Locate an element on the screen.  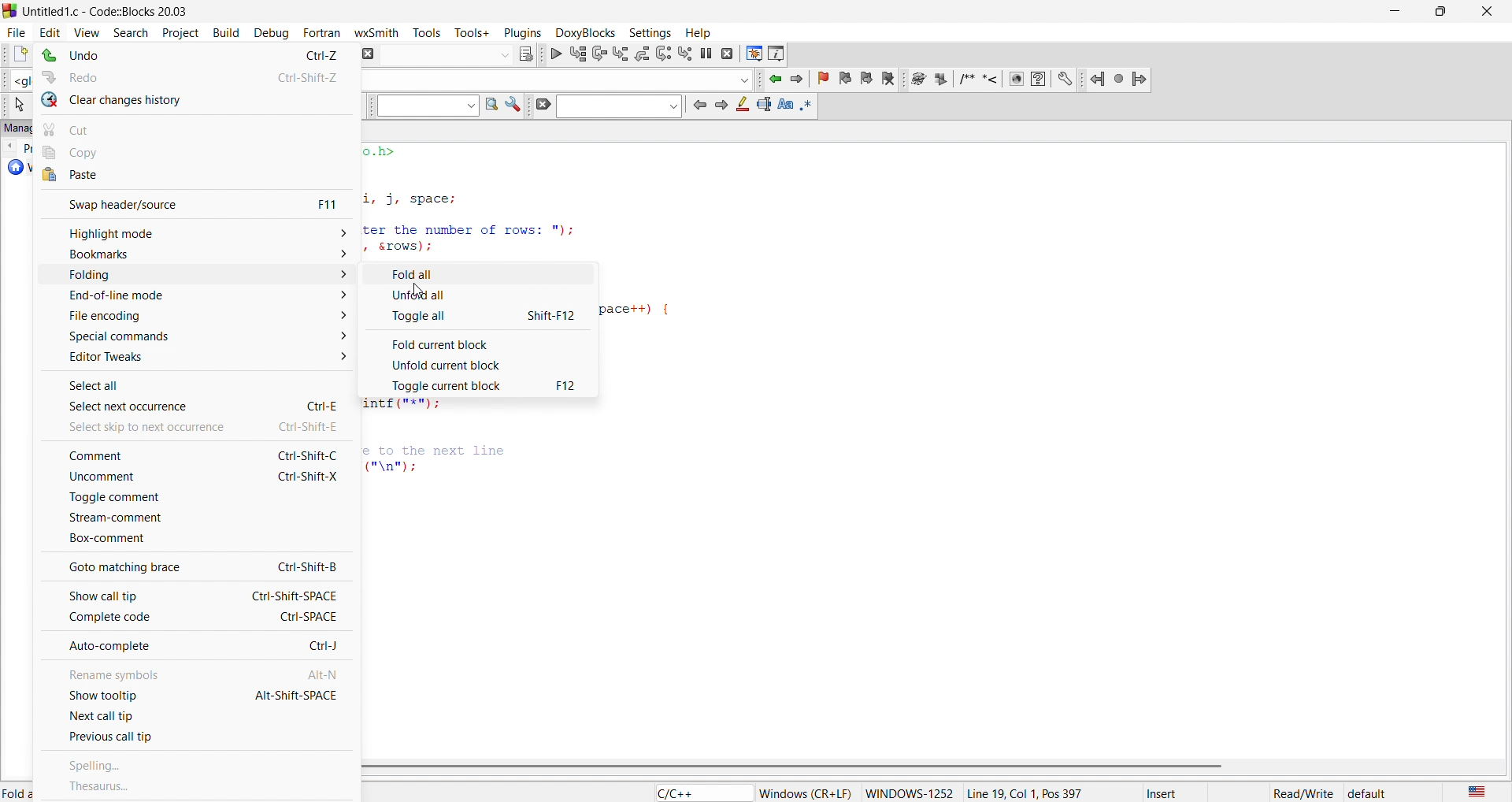
pllugins is located at coordinates (520, 31).